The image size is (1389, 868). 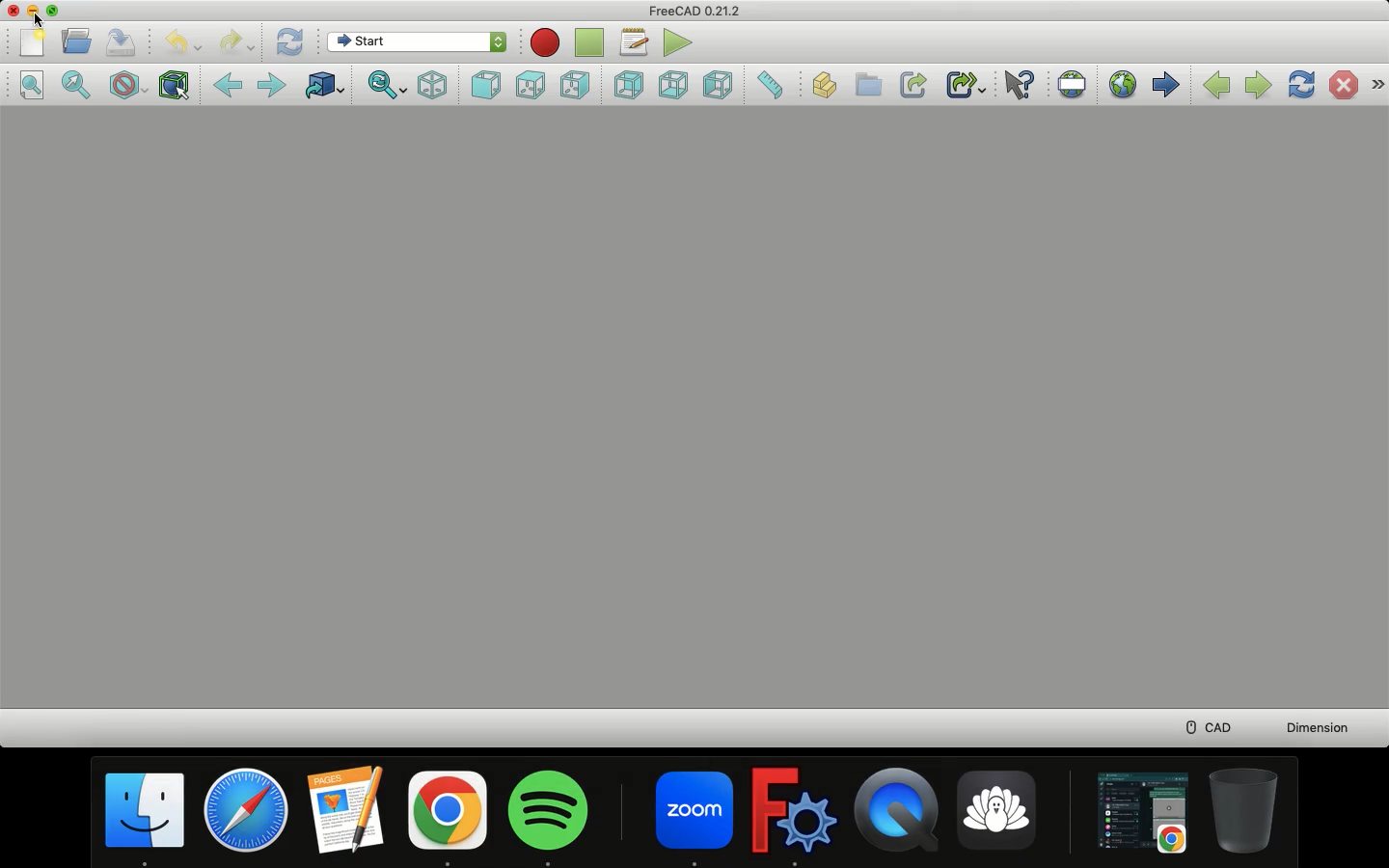 I want to click on Forward, so click(x=275, y=83).